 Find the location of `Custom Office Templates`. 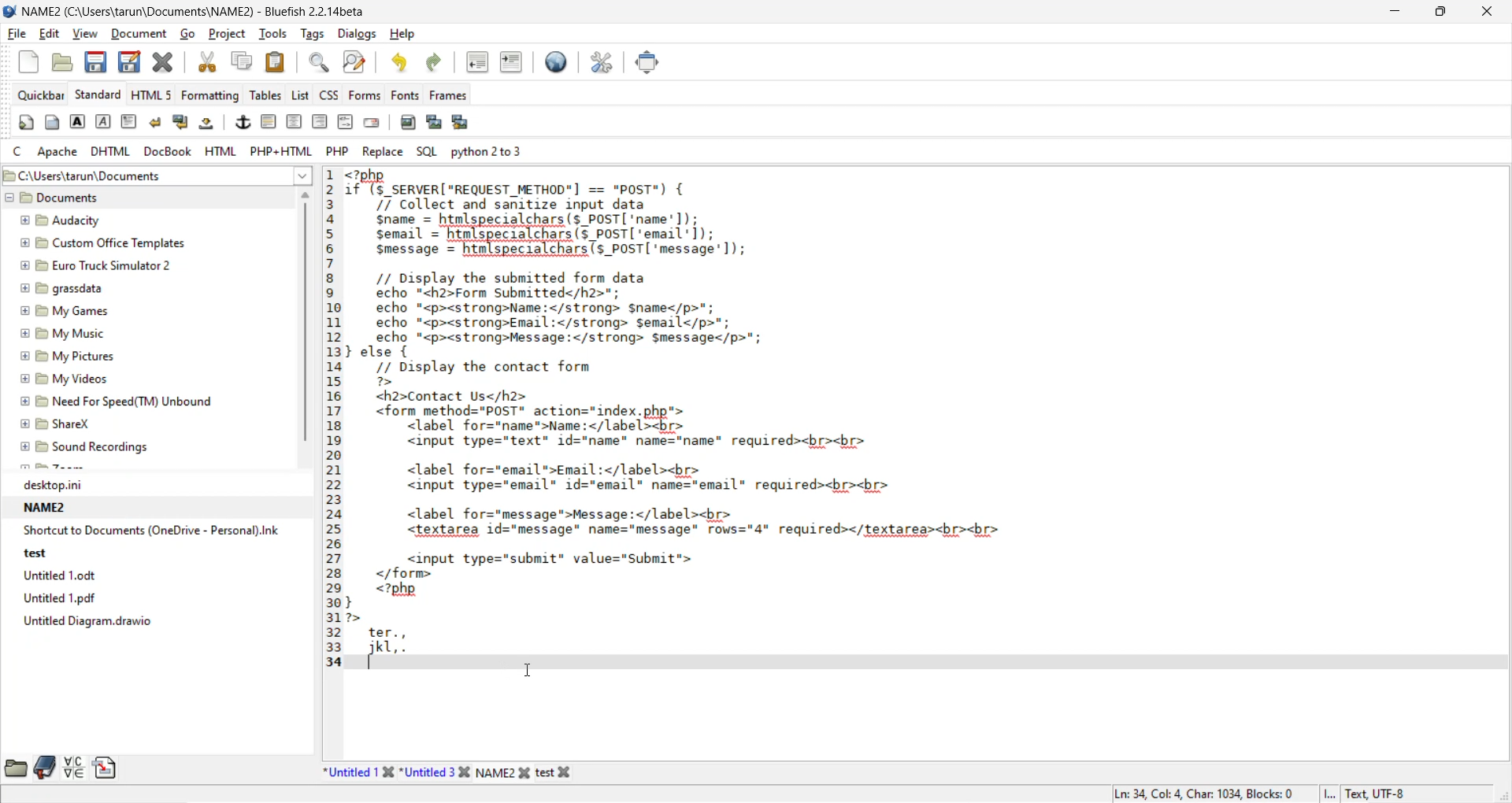

Custom Office Templates is located at coordinates (106, 242).